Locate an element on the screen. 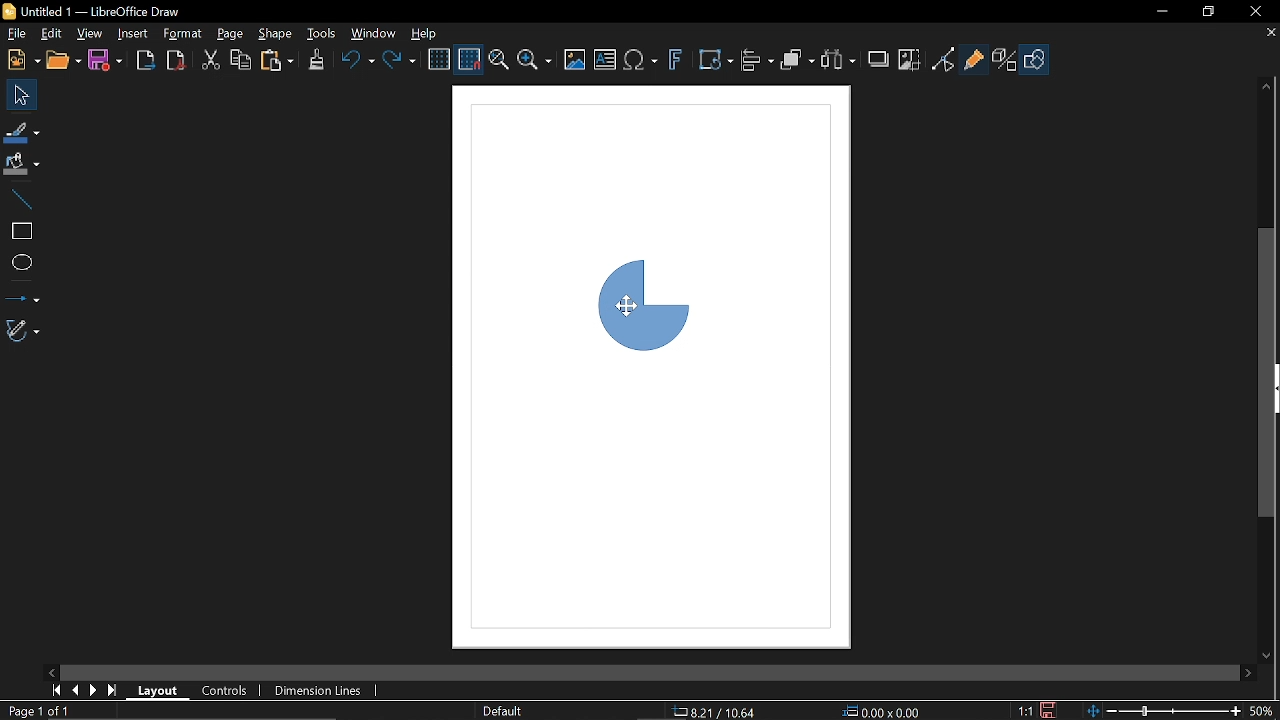 This screenshot has height=720, width=1280. Untitled 1 -- LibreOffice Draw is located at coordinates (125, 10).